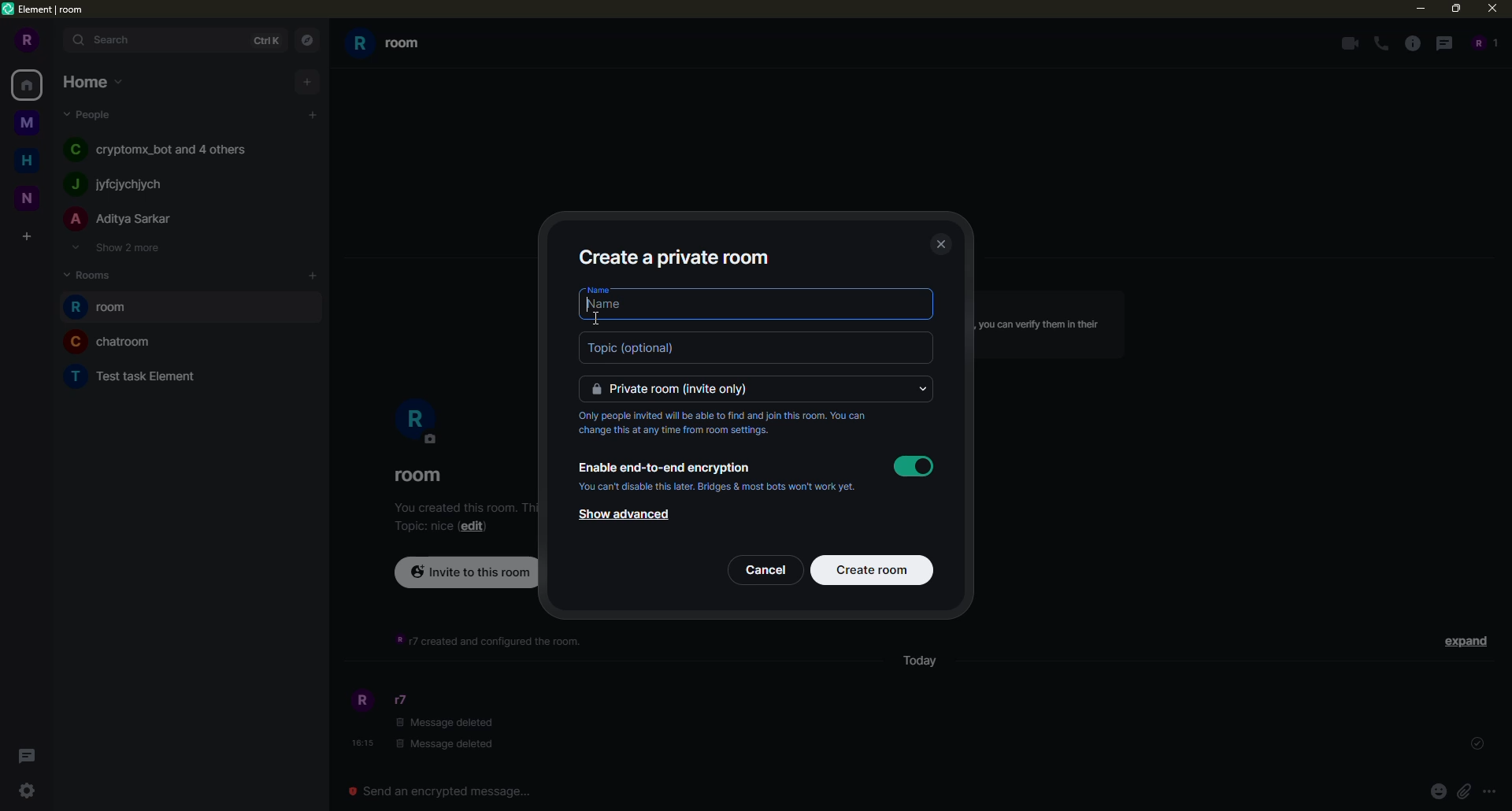  What do you see at coordinates (465, 576) in the screenshot?
I see `invite to this room` at bounding box center [465, 576].